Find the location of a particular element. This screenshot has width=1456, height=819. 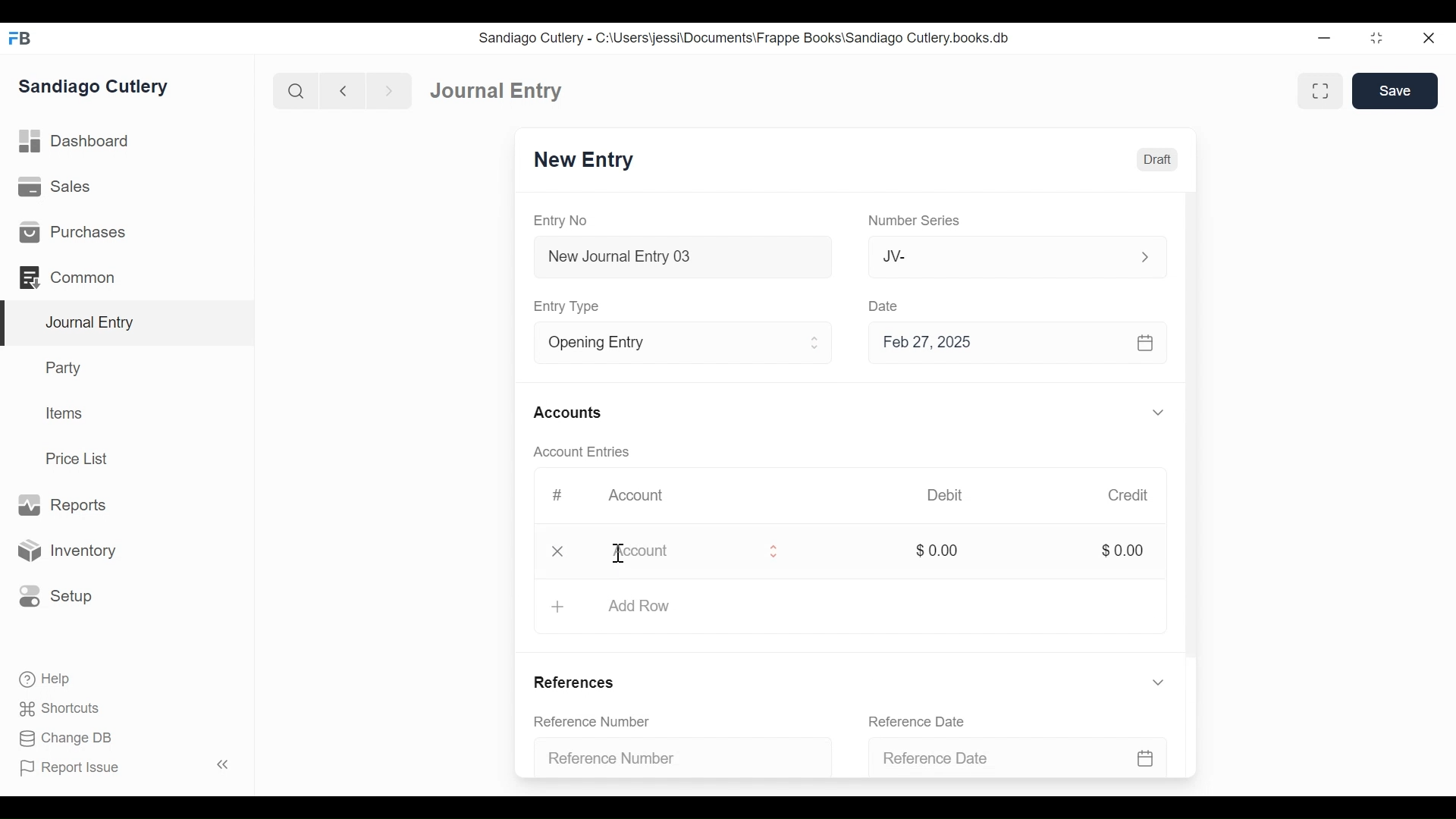

Date is located at coordinates (886, 306).